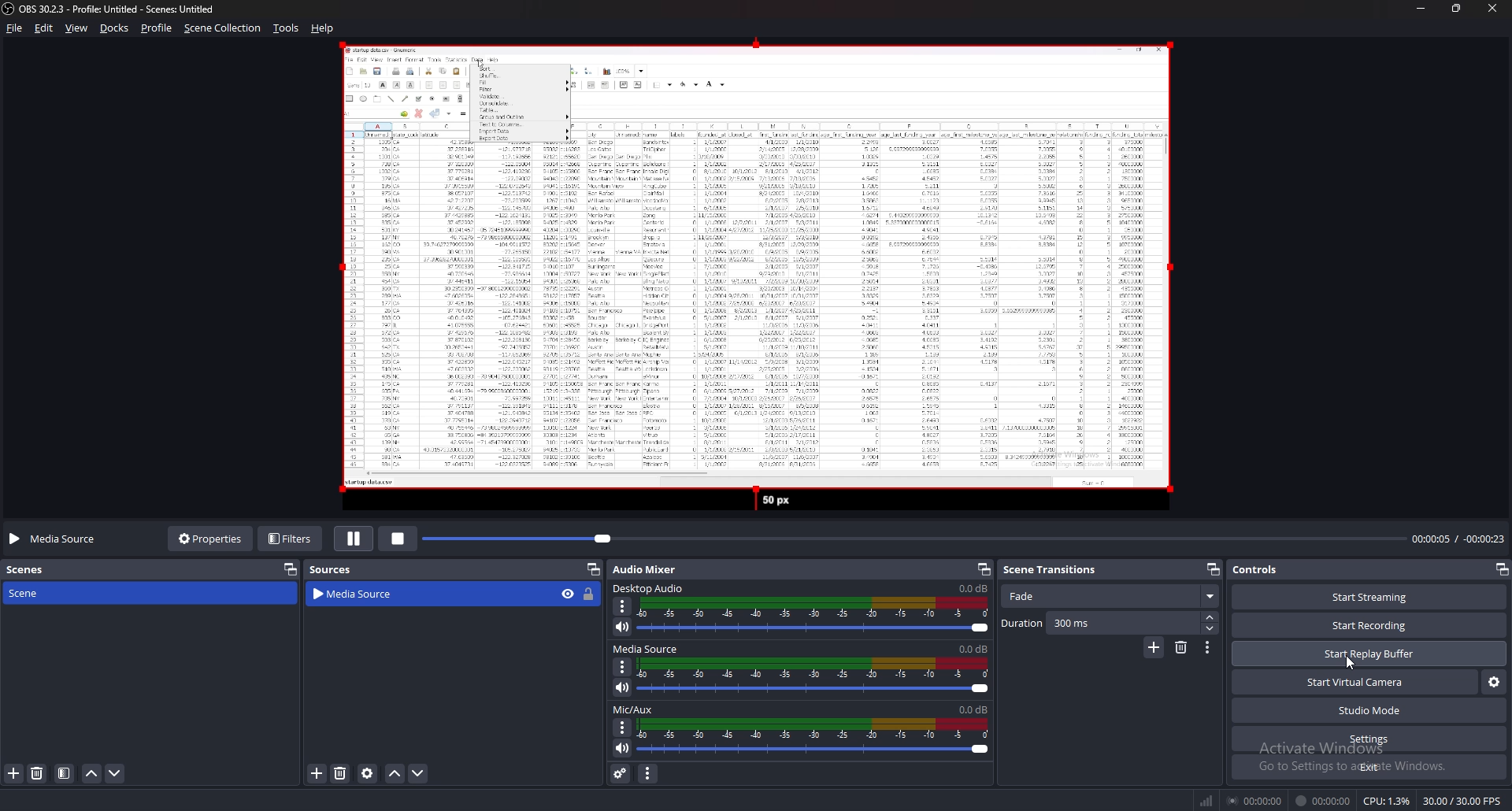  I want to click on move scene down, so click(114, 774).